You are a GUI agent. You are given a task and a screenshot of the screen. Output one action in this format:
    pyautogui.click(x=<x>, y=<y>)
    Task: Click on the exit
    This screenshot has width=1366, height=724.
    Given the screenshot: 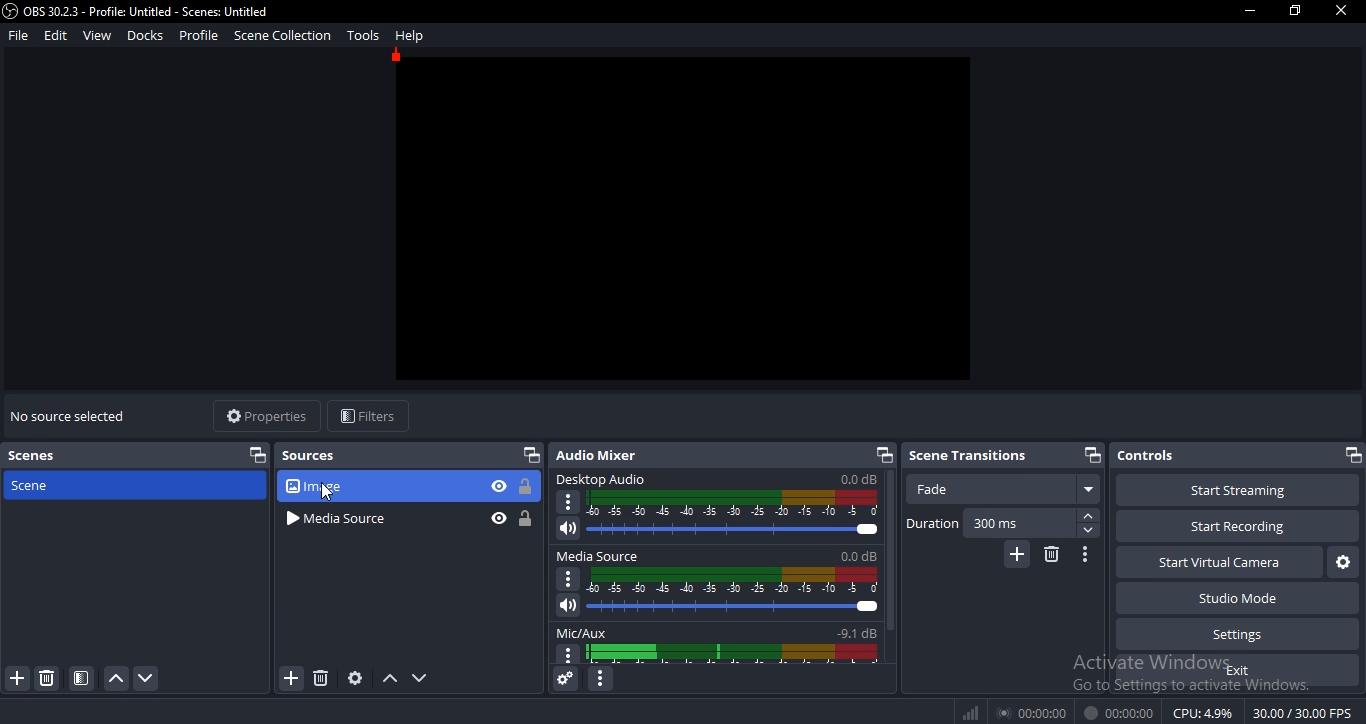 What is the action you would take?
    pyautogui.click(x=1240, y=672)
    